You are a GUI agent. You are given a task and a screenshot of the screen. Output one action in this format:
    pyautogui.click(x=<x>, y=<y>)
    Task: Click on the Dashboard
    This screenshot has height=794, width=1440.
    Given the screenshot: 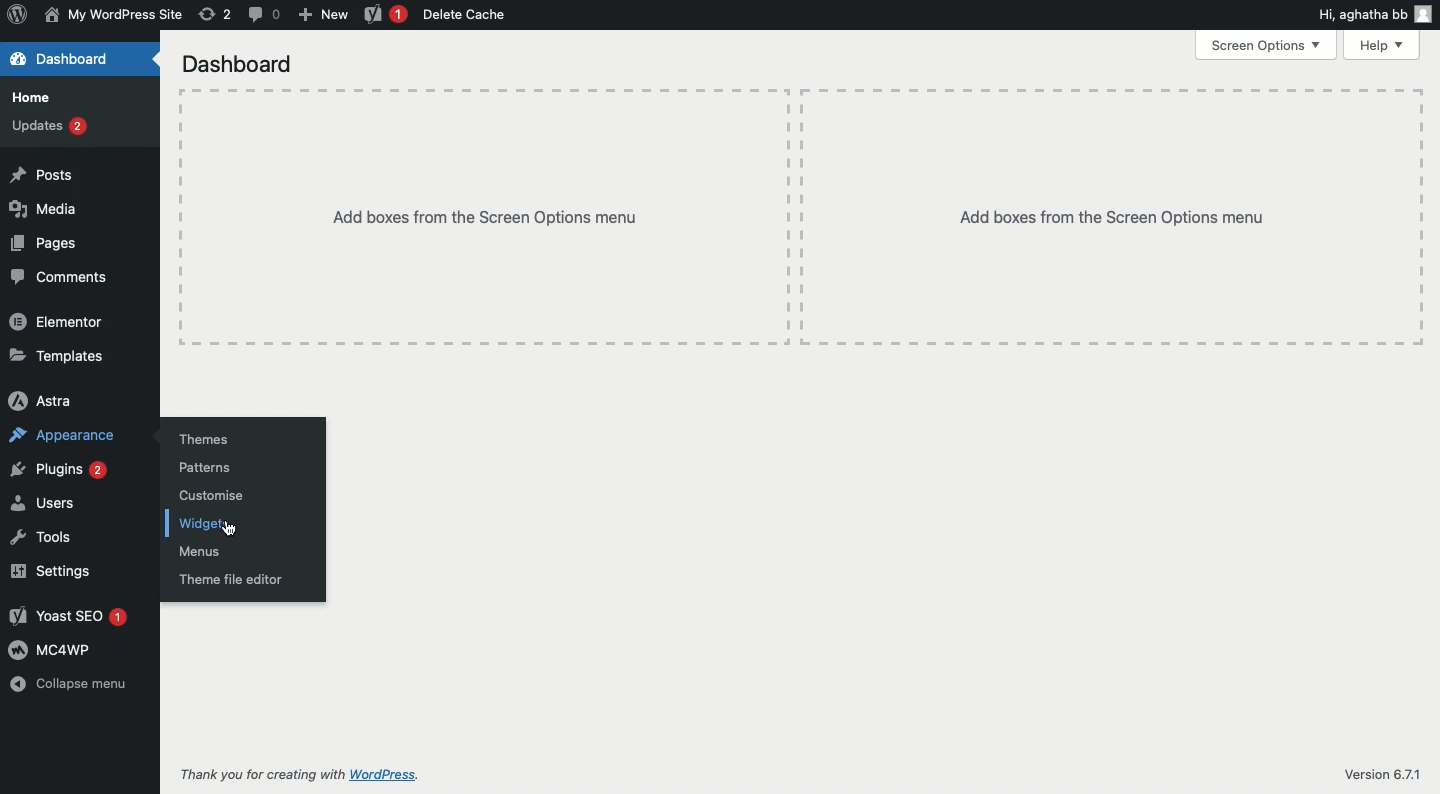 What is the action you would take?
    pyautogui.click(x=238, y=64)
    